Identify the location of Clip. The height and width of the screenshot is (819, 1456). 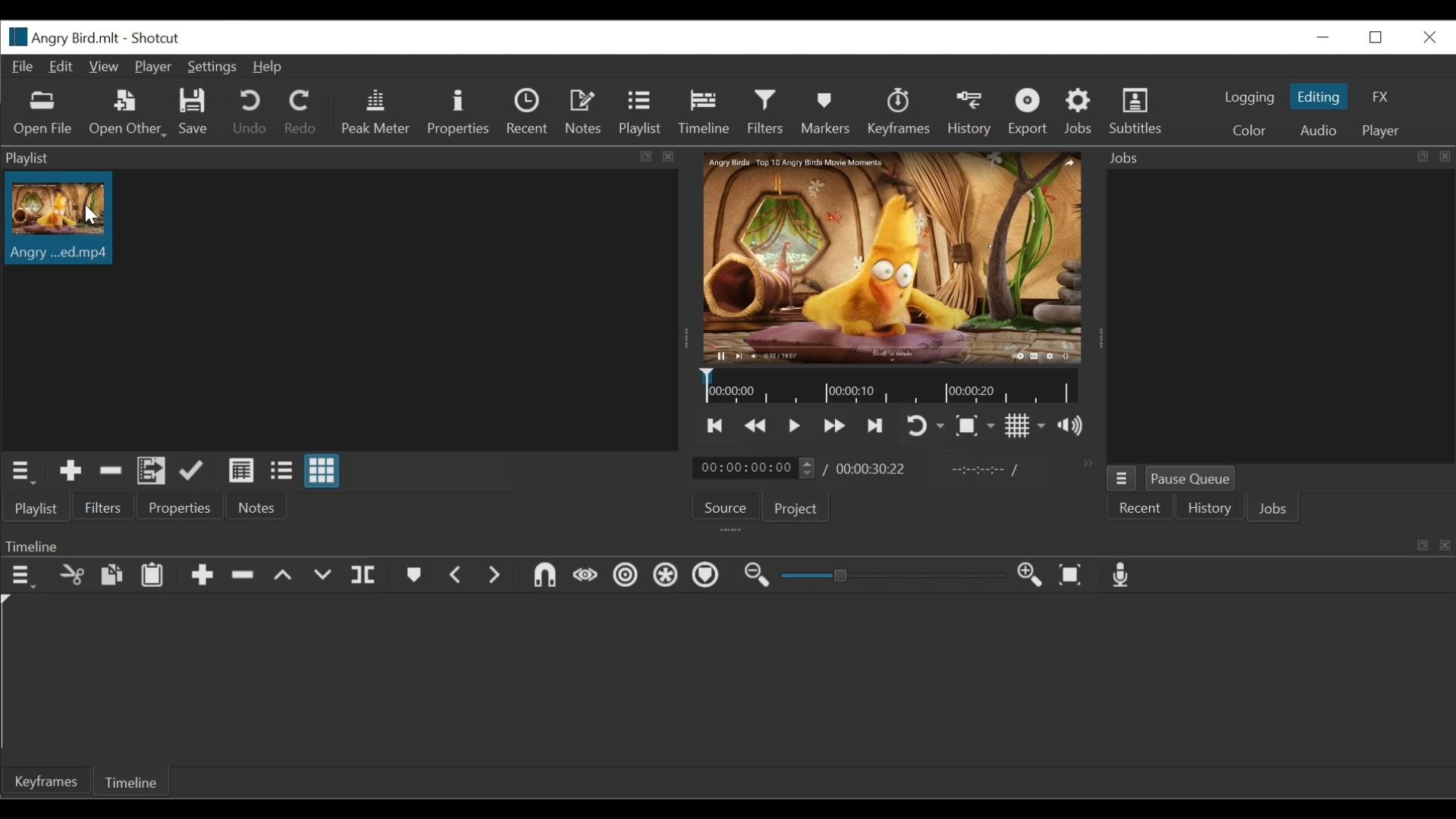
(64, 218).